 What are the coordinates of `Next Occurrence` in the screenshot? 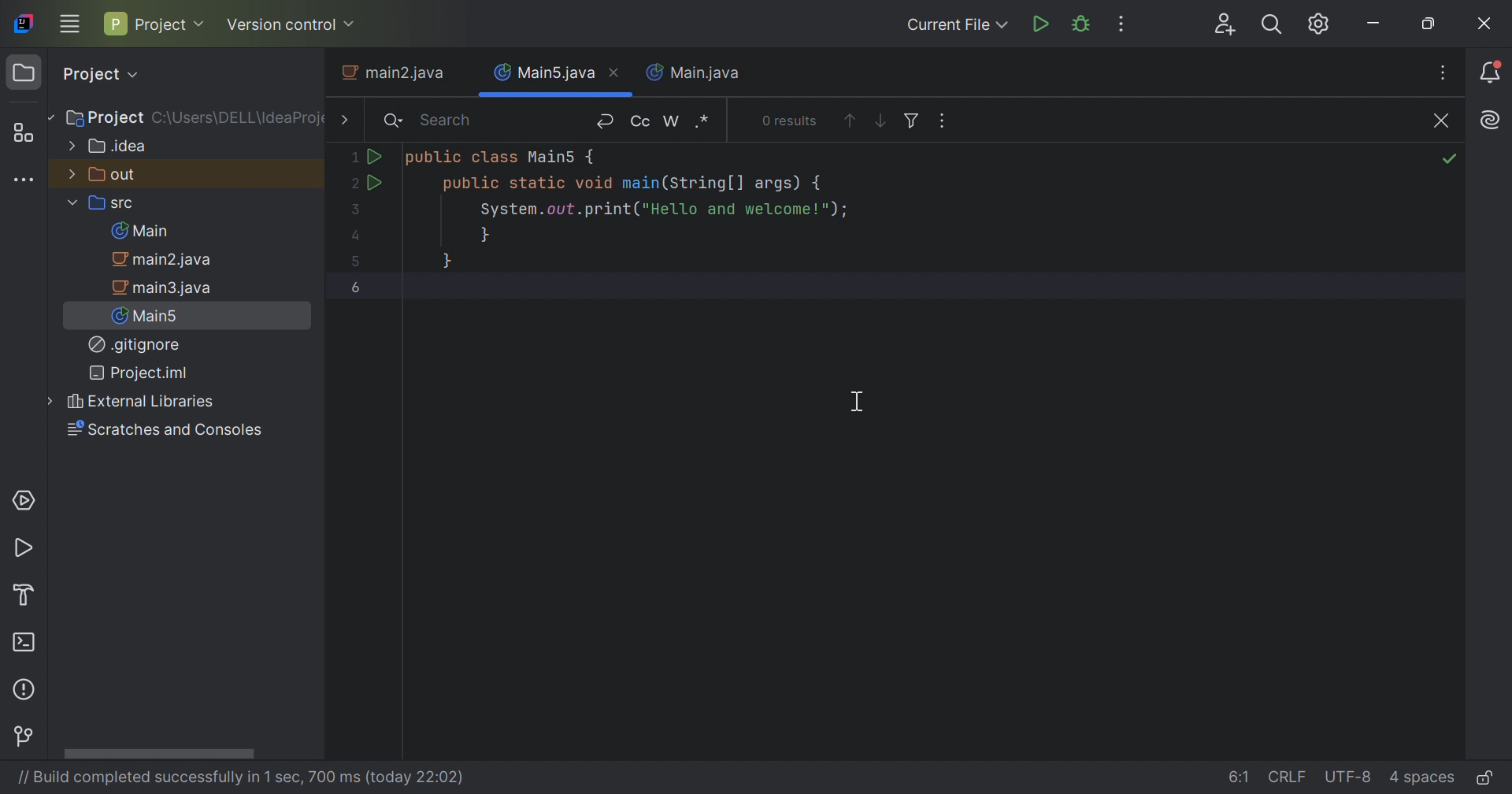 It's located at (880, 121).